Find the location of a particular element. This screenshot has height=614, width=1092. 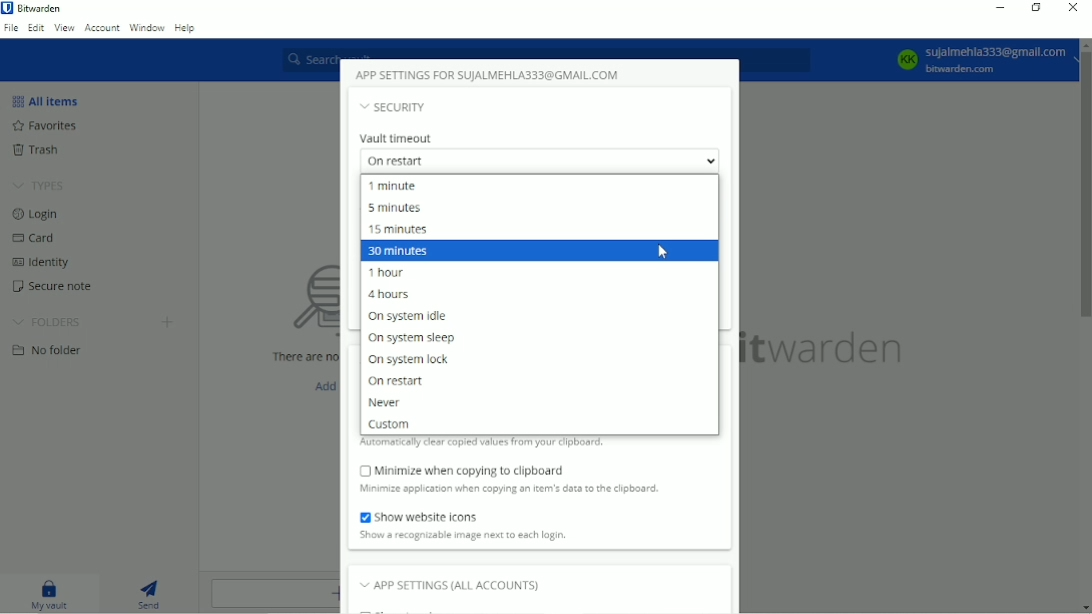

cursor is located at coordinates (662, 251).